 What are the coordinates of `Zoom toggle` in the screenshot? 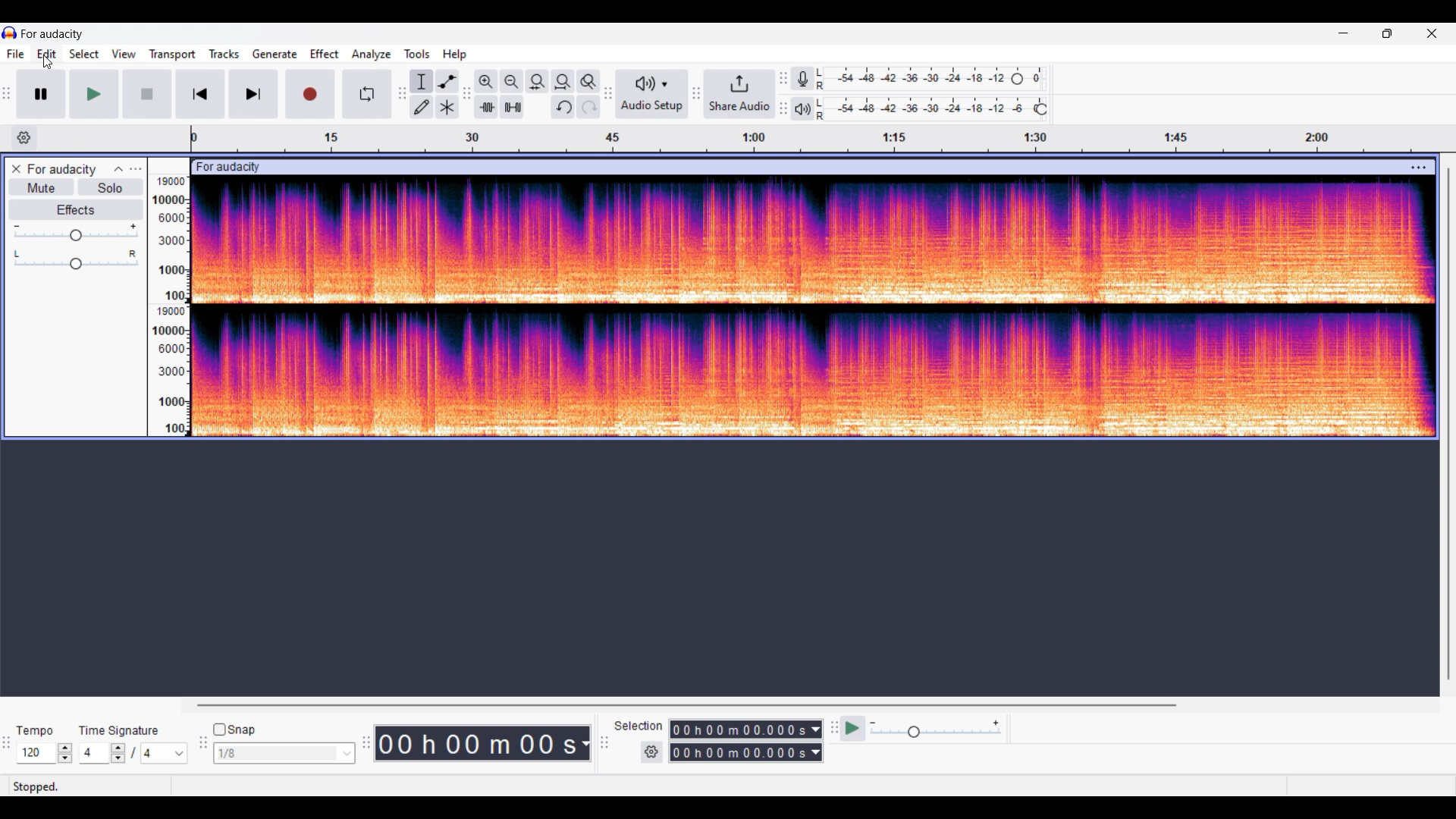 It's located at (588, 82).